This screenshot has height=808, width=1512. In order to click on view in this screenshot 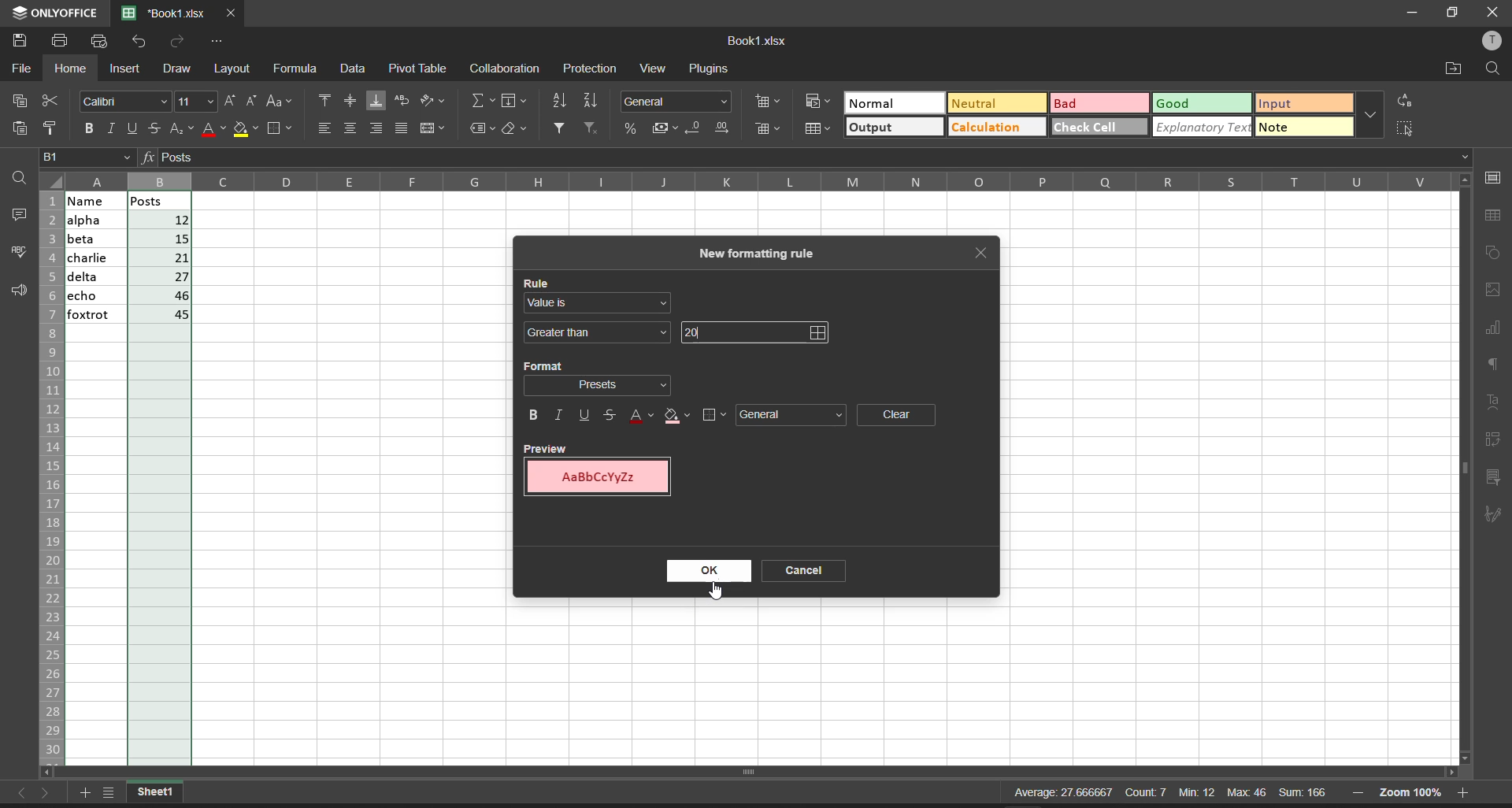, I will do `click(654, 68)`.